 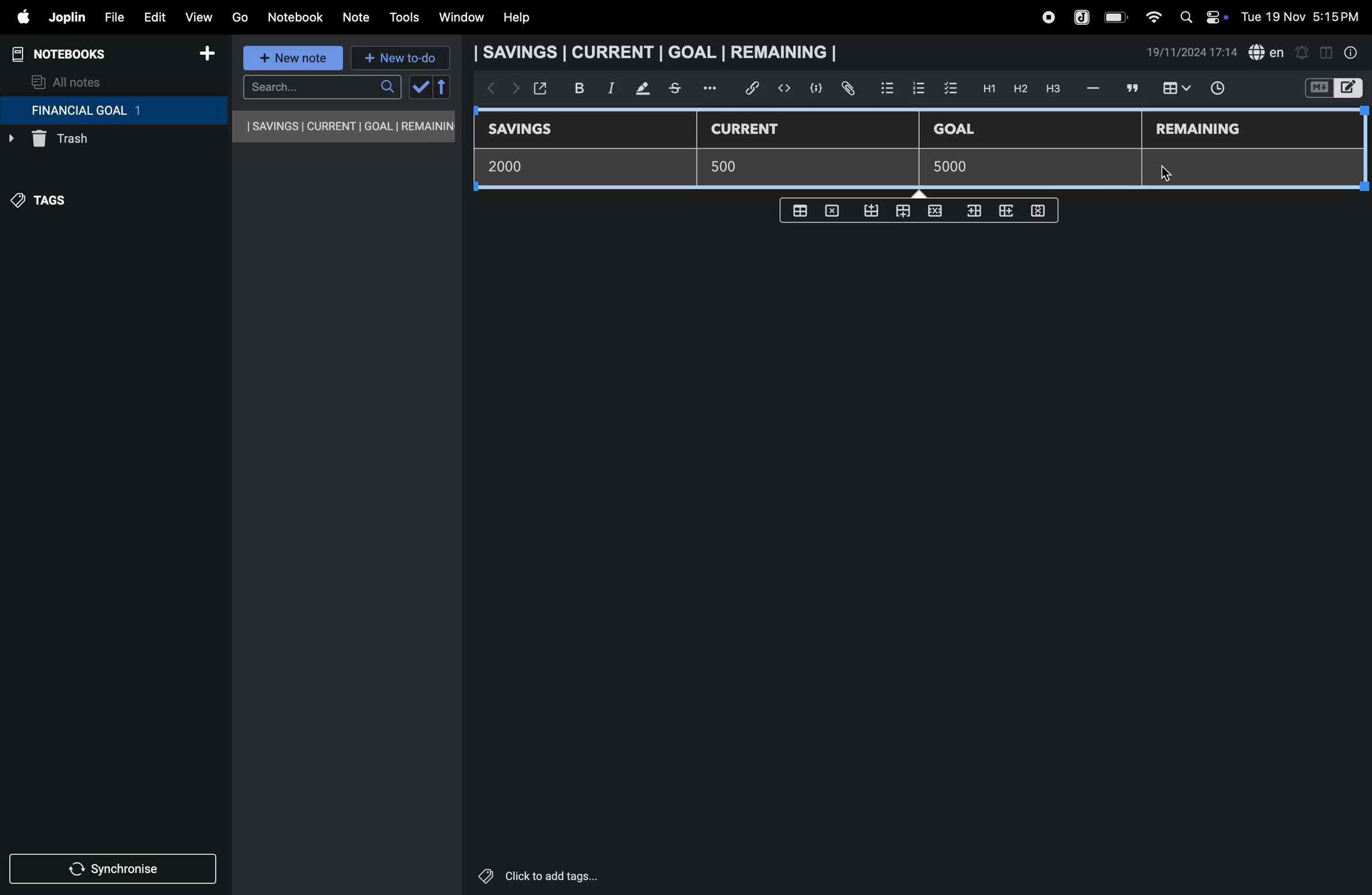 What do you see at coordinates (198, 14) in the screenshot?
I see `view` at bounding box center [198, 14].